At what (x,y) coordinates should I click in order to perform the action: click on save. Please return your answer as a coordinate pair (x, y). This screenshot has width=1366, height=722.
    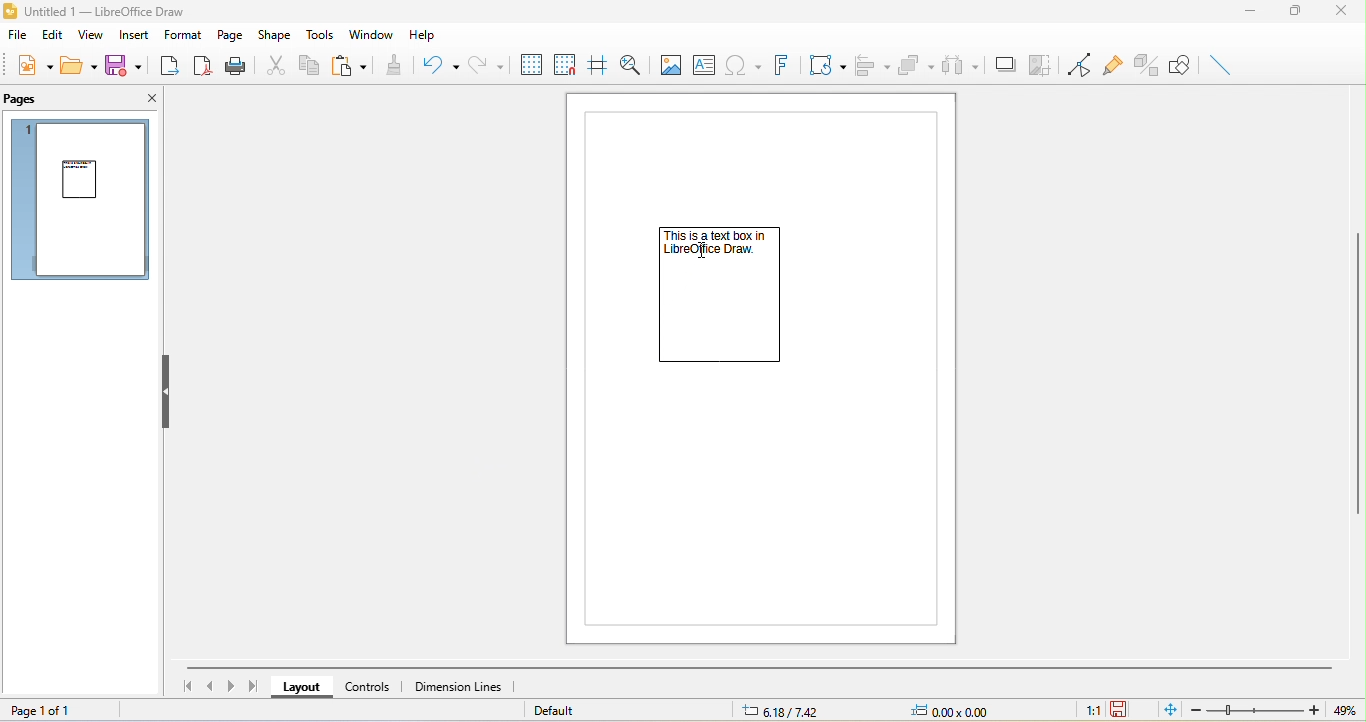
    Looking at the image, I should click on (129, 68).